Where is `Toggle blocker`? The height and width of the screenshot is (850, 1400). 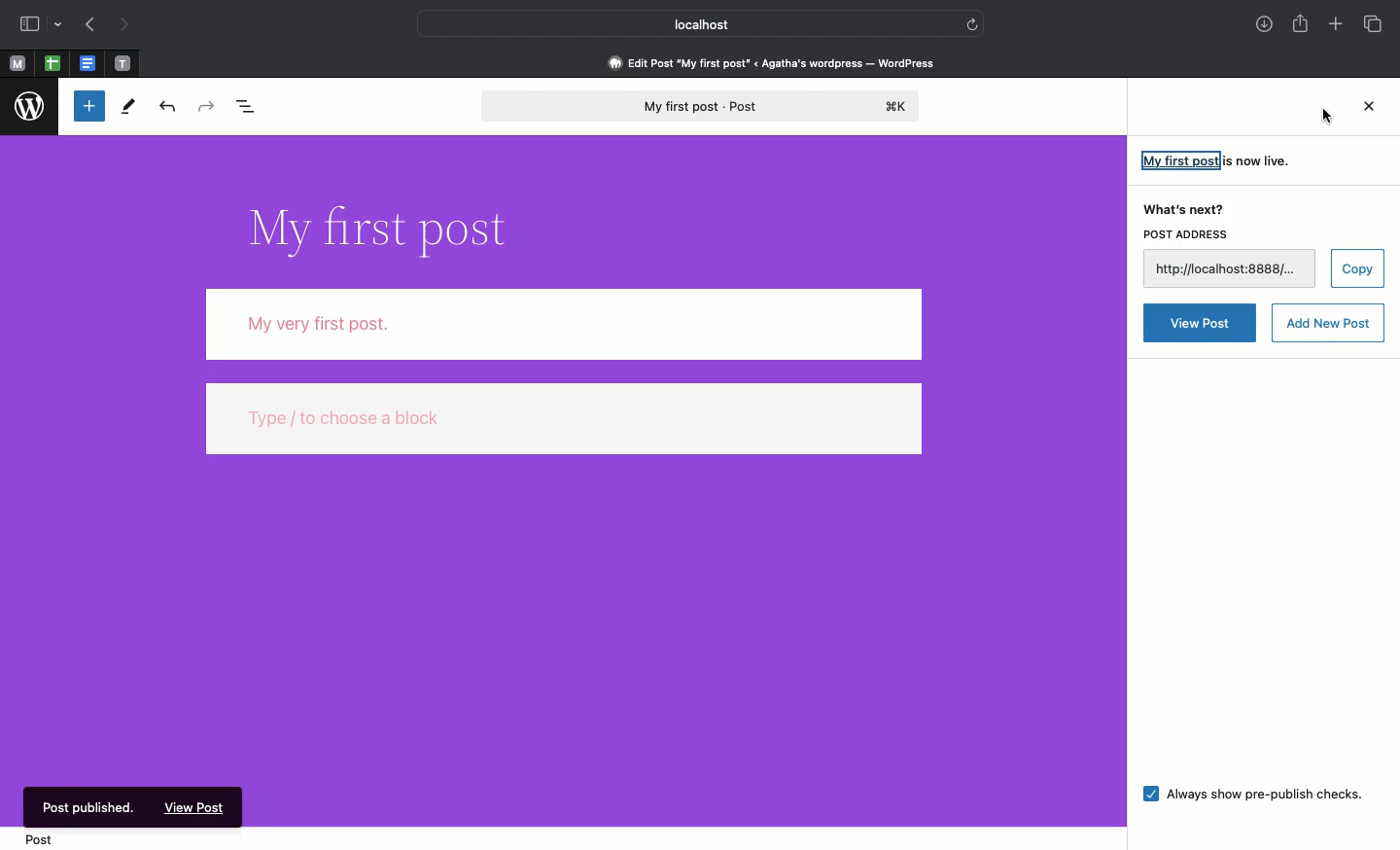 Toggle blocker is located at coordinates (89, 105).